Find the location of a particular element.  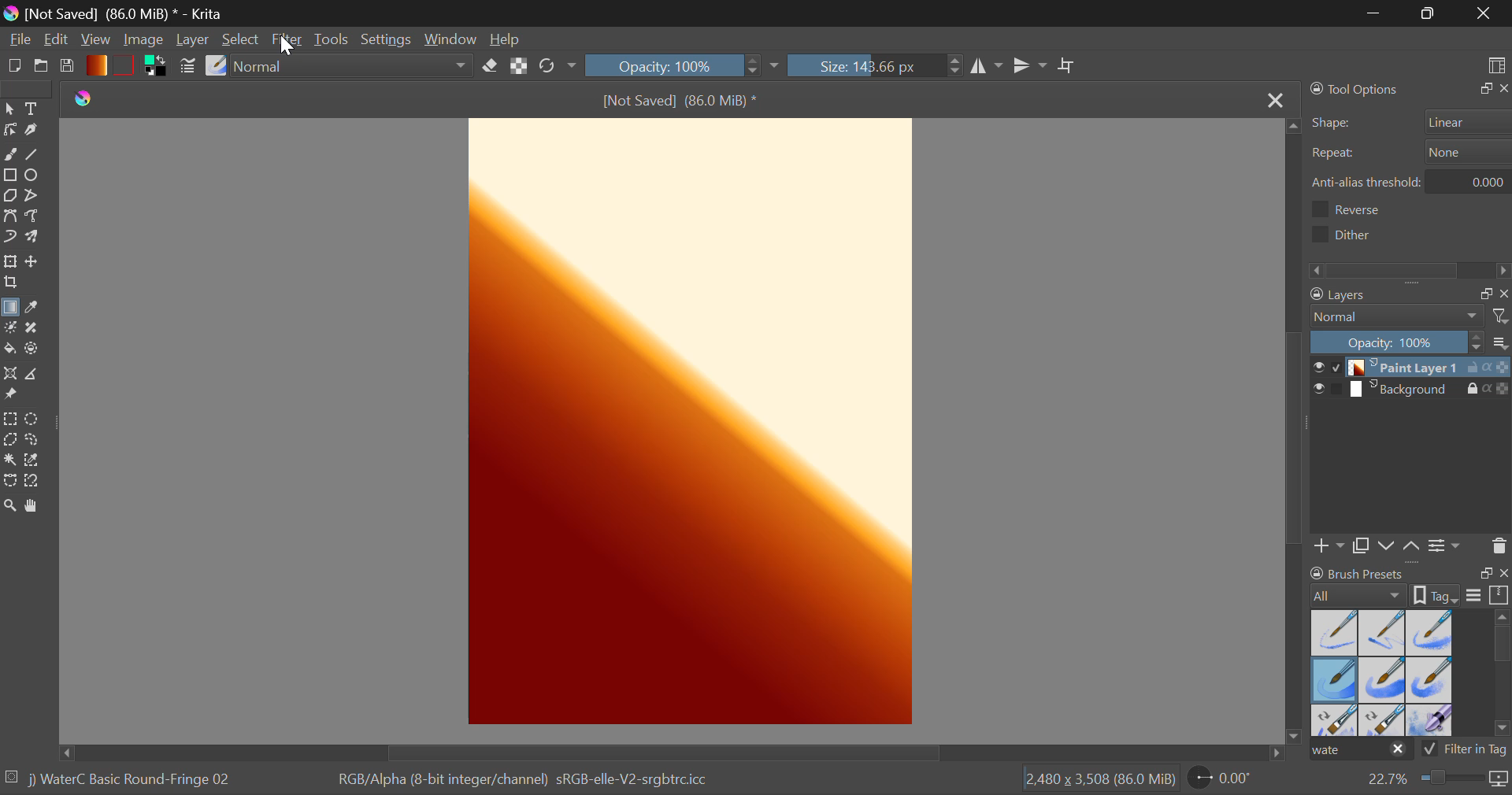

Restore Down is located at coordinates (1376, 13).